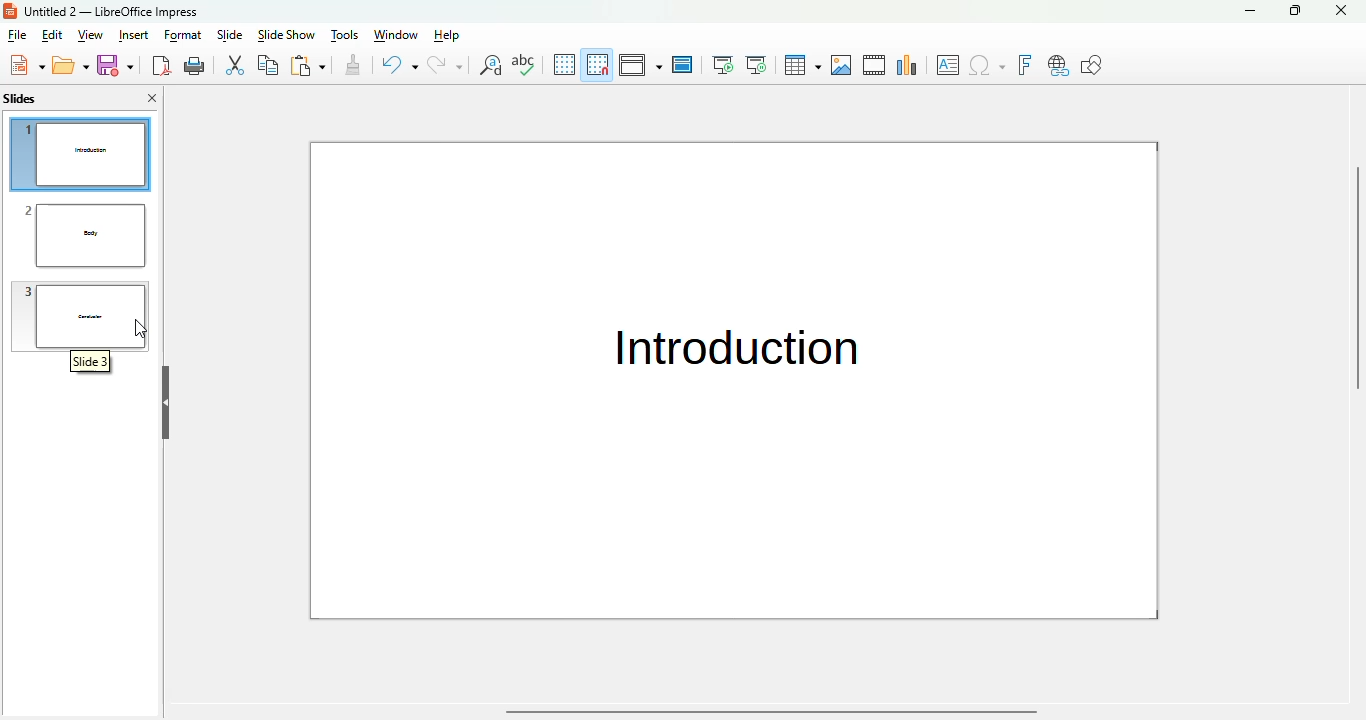 This screenshot has width=1366, height=720. I want to click on file, so click(17, 35).